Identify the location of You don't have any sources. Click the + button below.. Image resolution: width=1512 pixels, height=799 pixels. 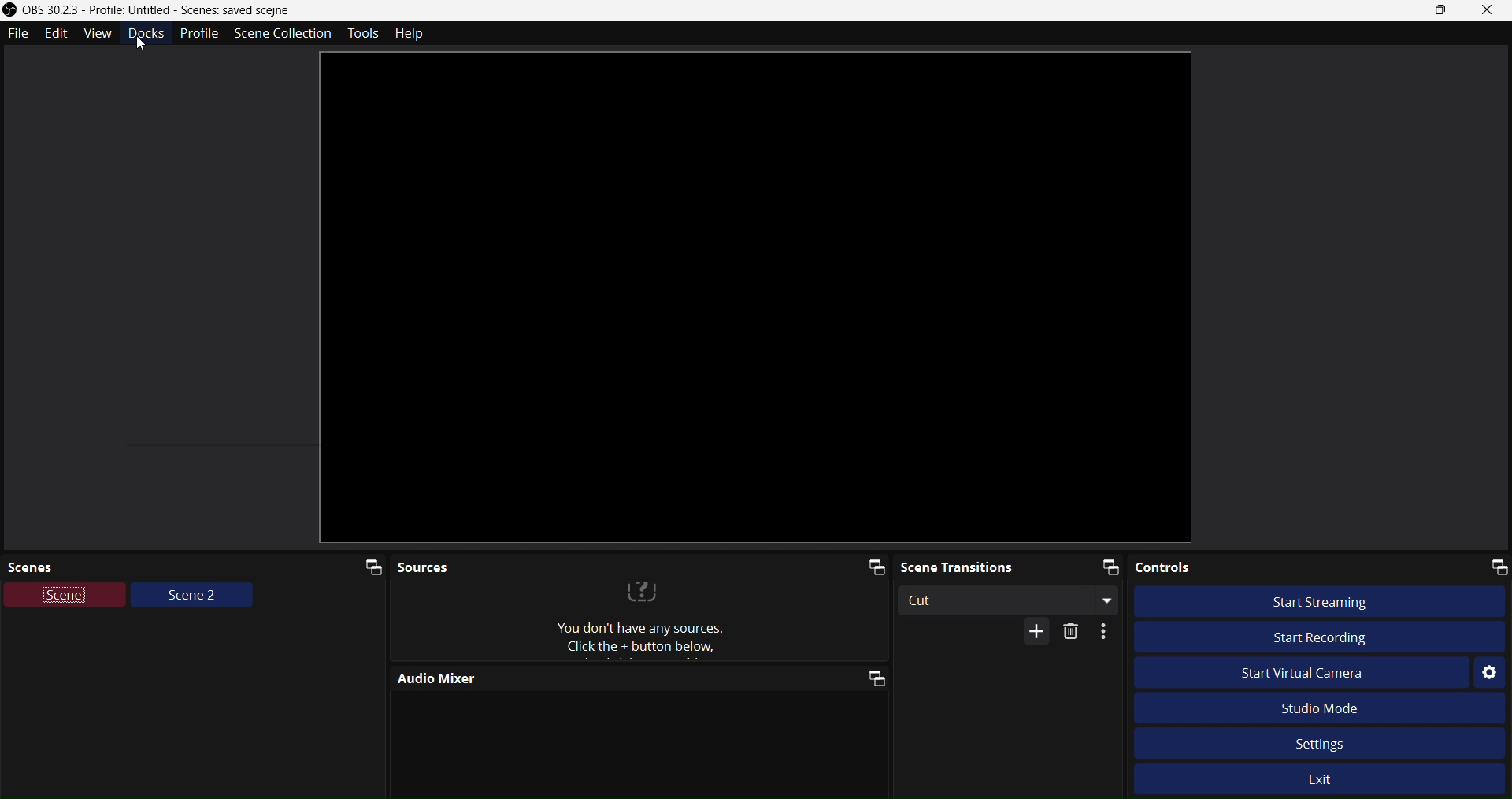
(641, 620).